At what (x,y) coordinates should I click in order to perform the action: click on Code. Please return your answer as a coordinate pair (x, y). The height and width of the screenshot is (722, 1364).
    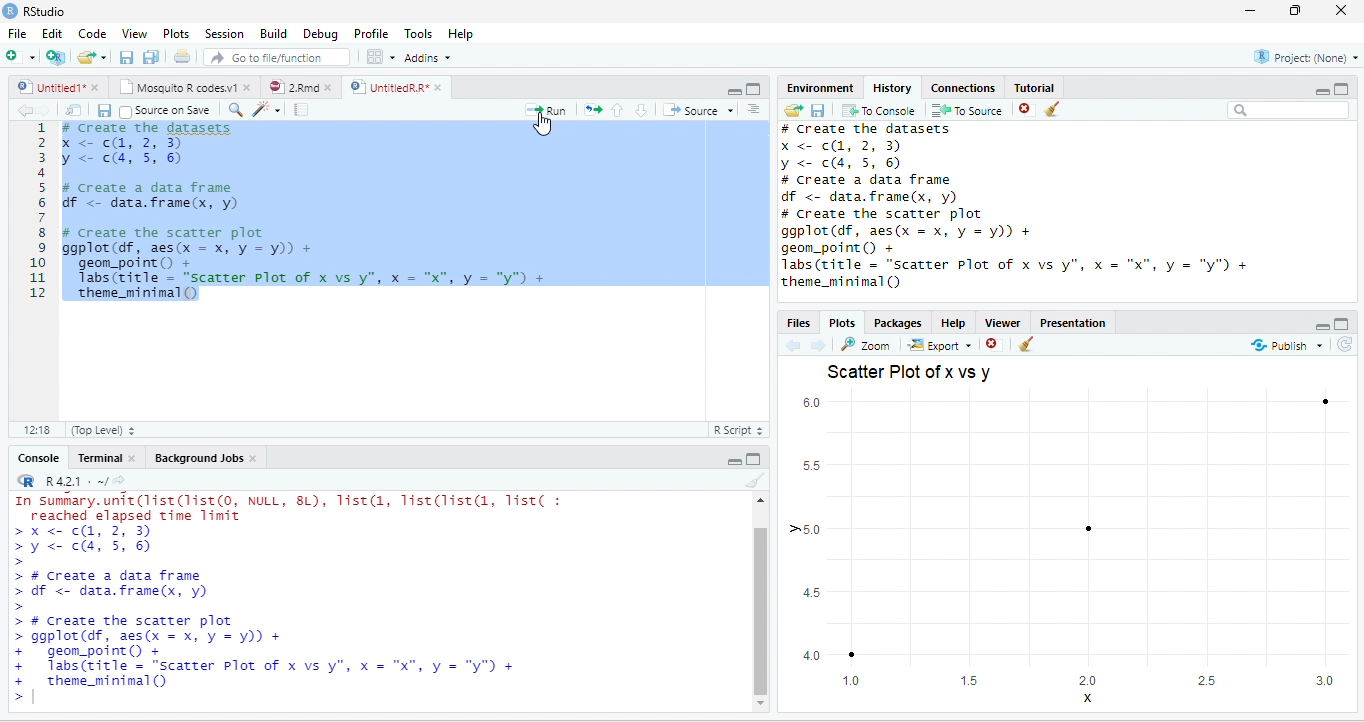
    Looking at the image, I should click on (91, 33).